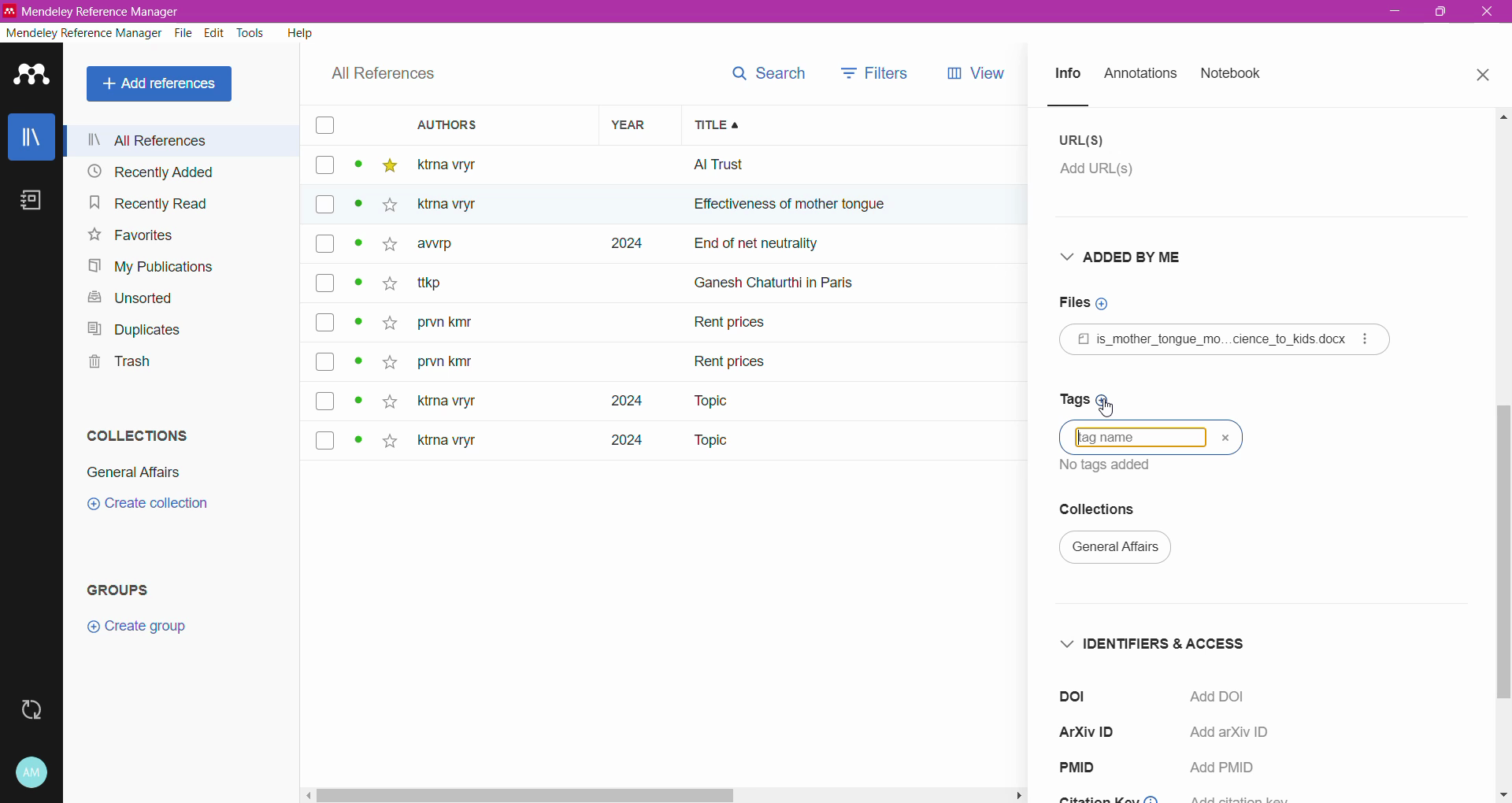  What do you see at coordinates (357, 326) in the screenshot?
I see `dot ` at bounding box center [357, 326].